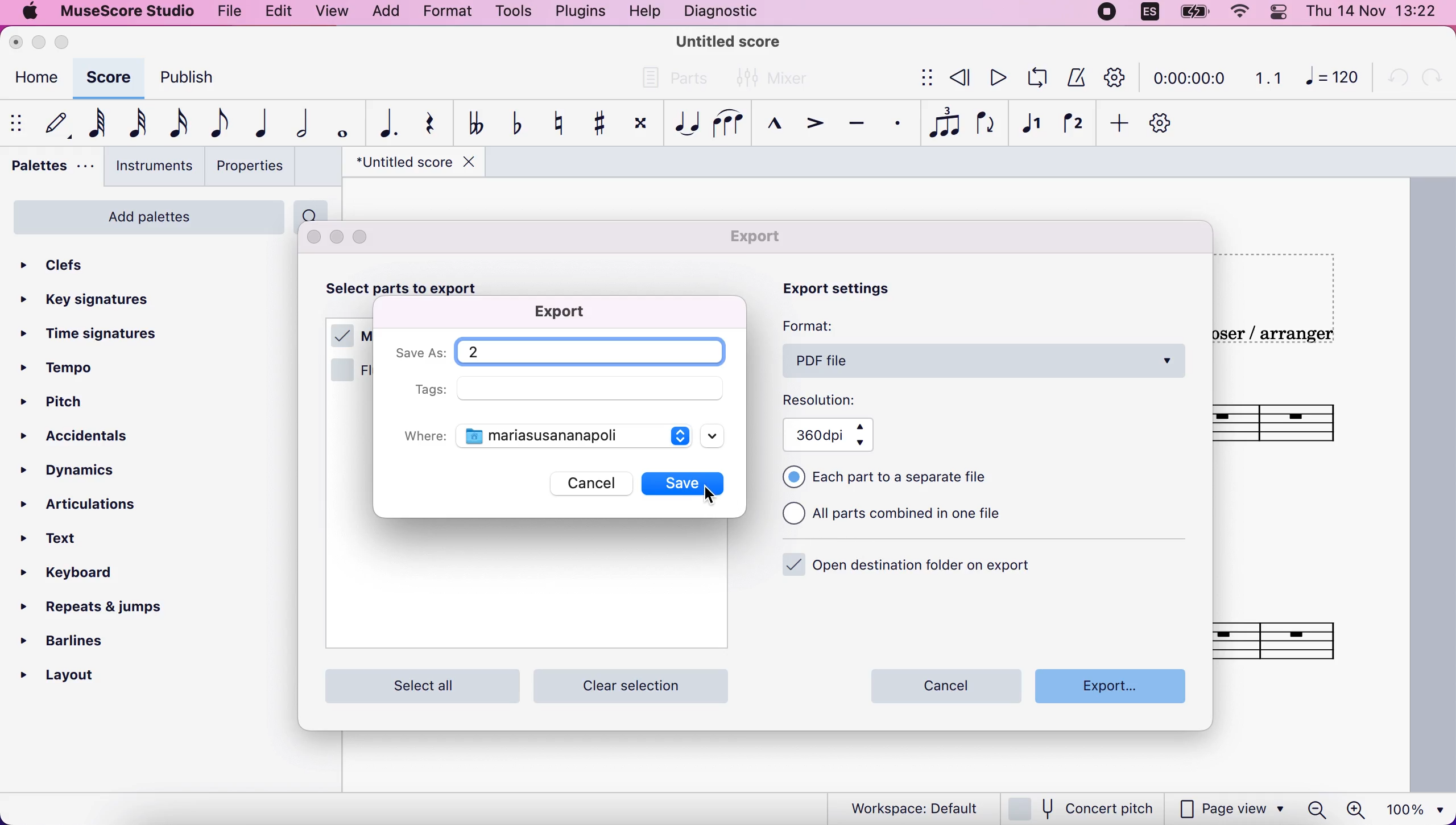 The width and height of the screenshot is (1456, 825). I want to click on show/hide, so click(925, 77).